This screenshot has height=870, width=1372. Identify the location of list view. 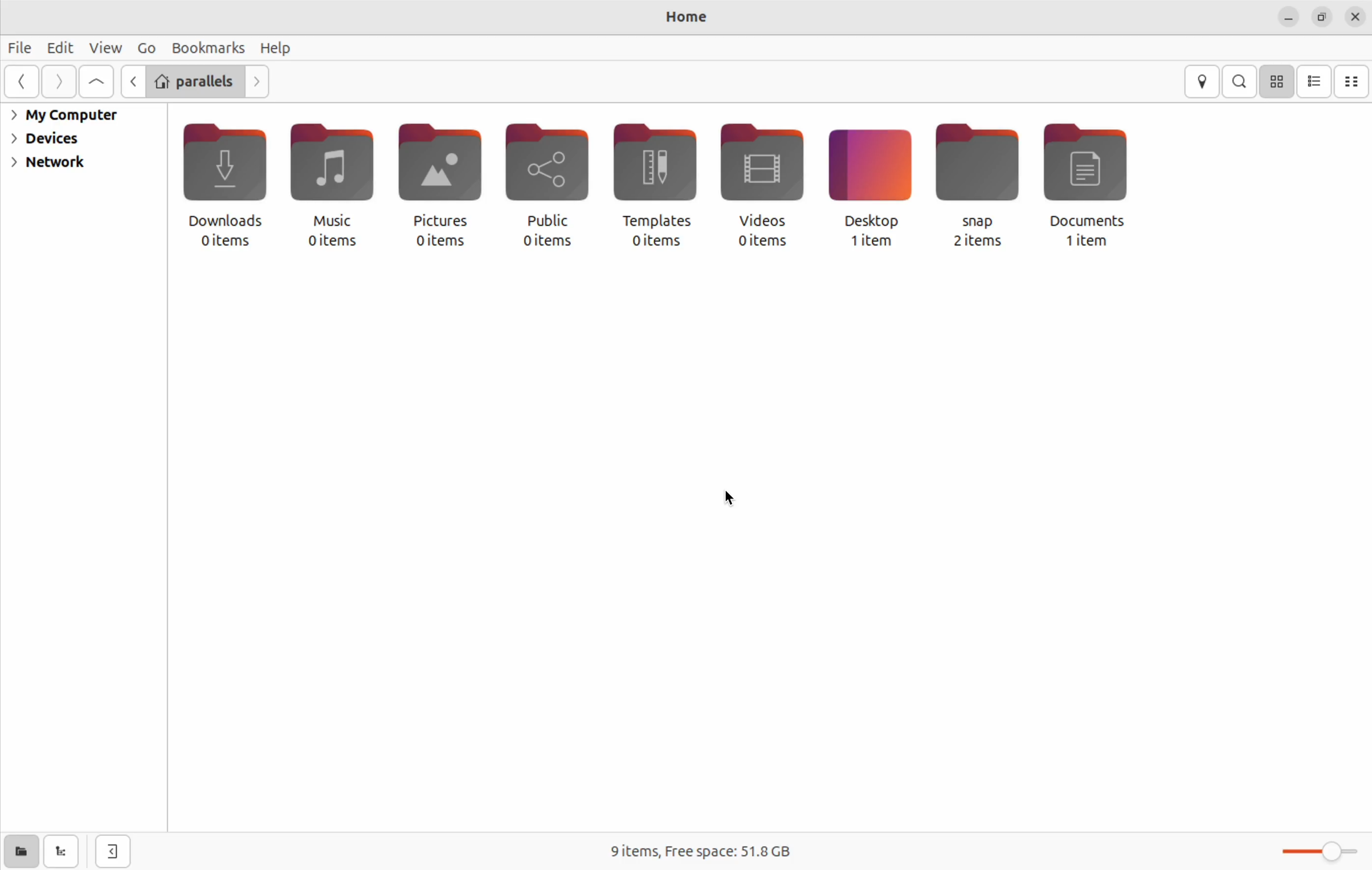
(1317, 82).